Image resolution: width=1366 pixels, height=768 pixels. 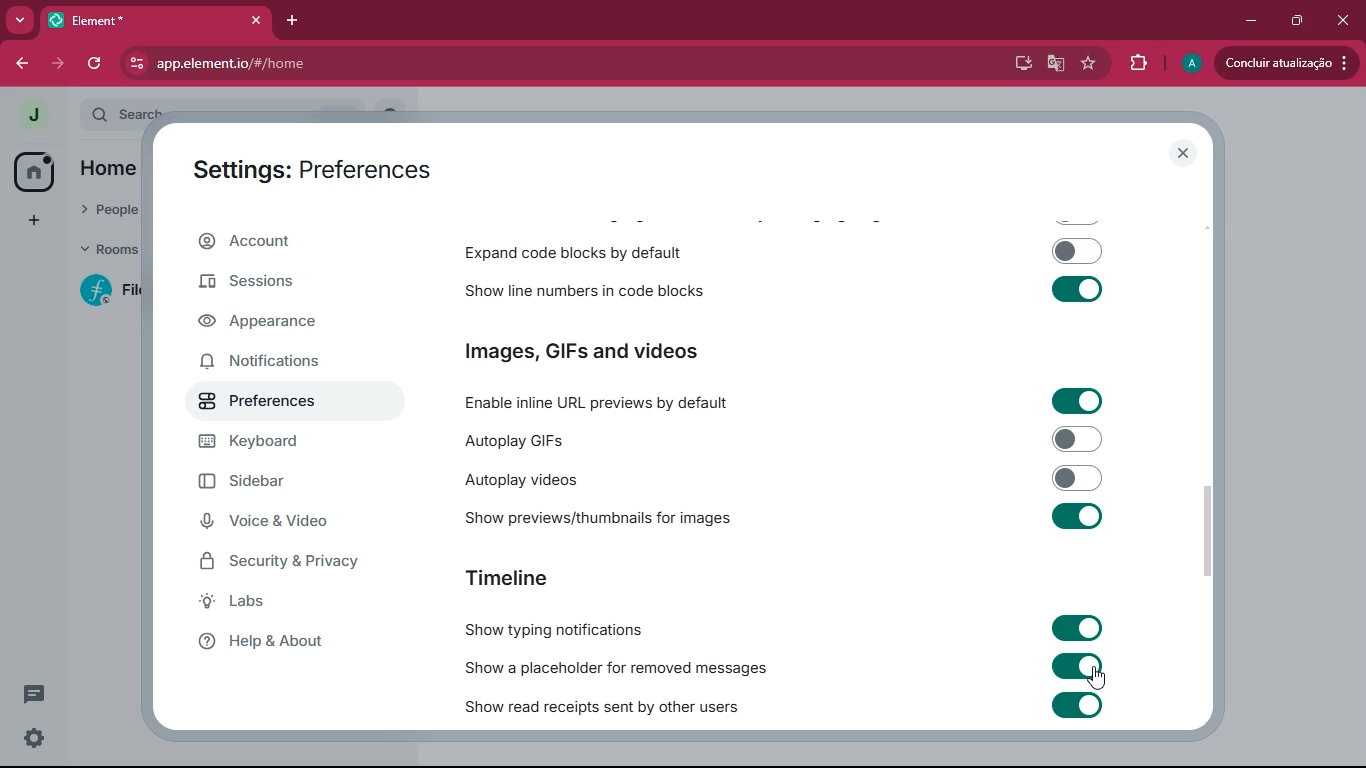 I want to click on timeline, so click(x=508, y=577).